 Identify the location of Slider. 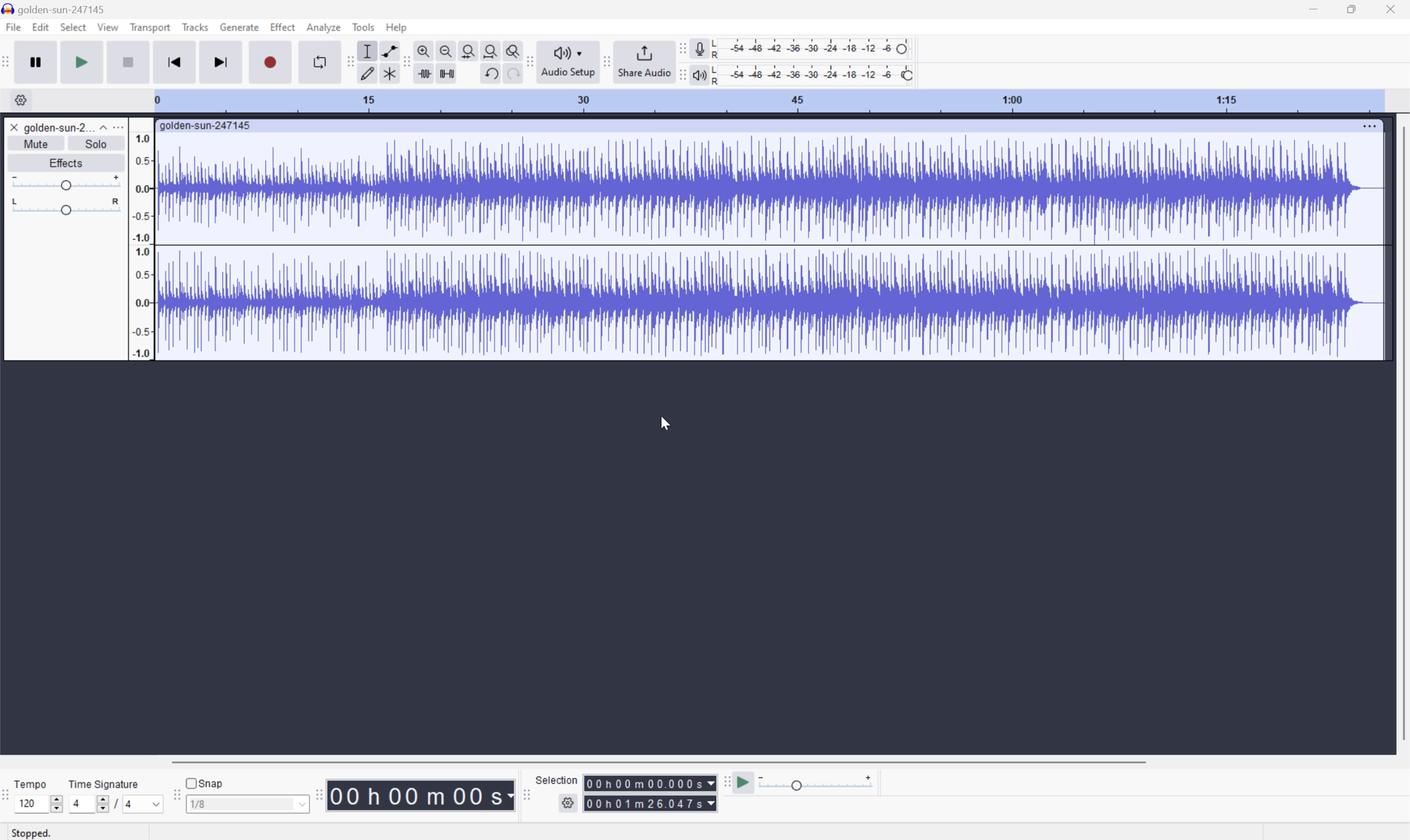
(62, 207).